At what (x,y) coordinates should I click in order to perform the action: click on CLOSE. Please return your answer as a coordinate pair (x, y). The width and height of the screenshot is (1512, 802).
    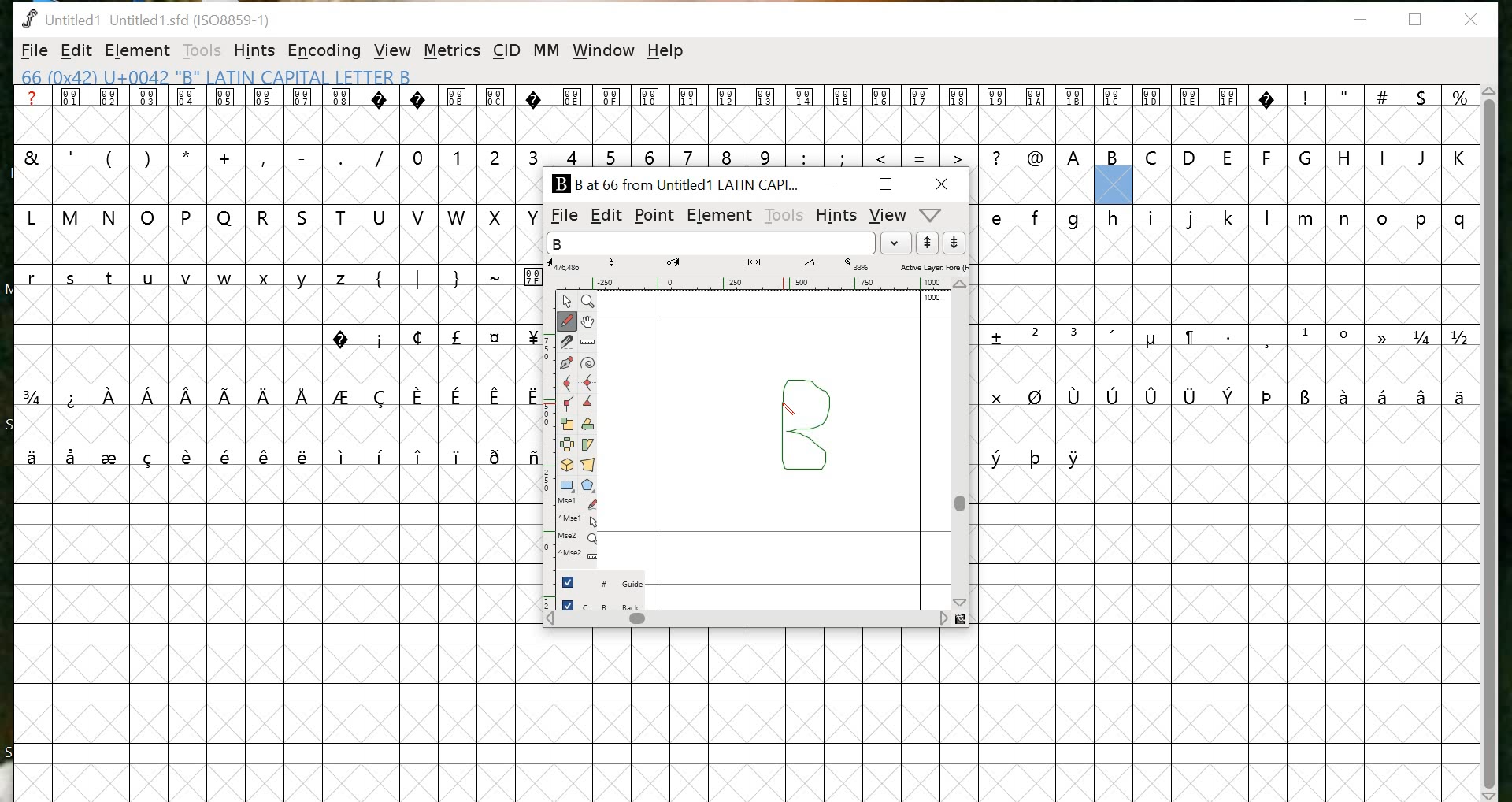
    Looking at the image, I should click on (943, 184).